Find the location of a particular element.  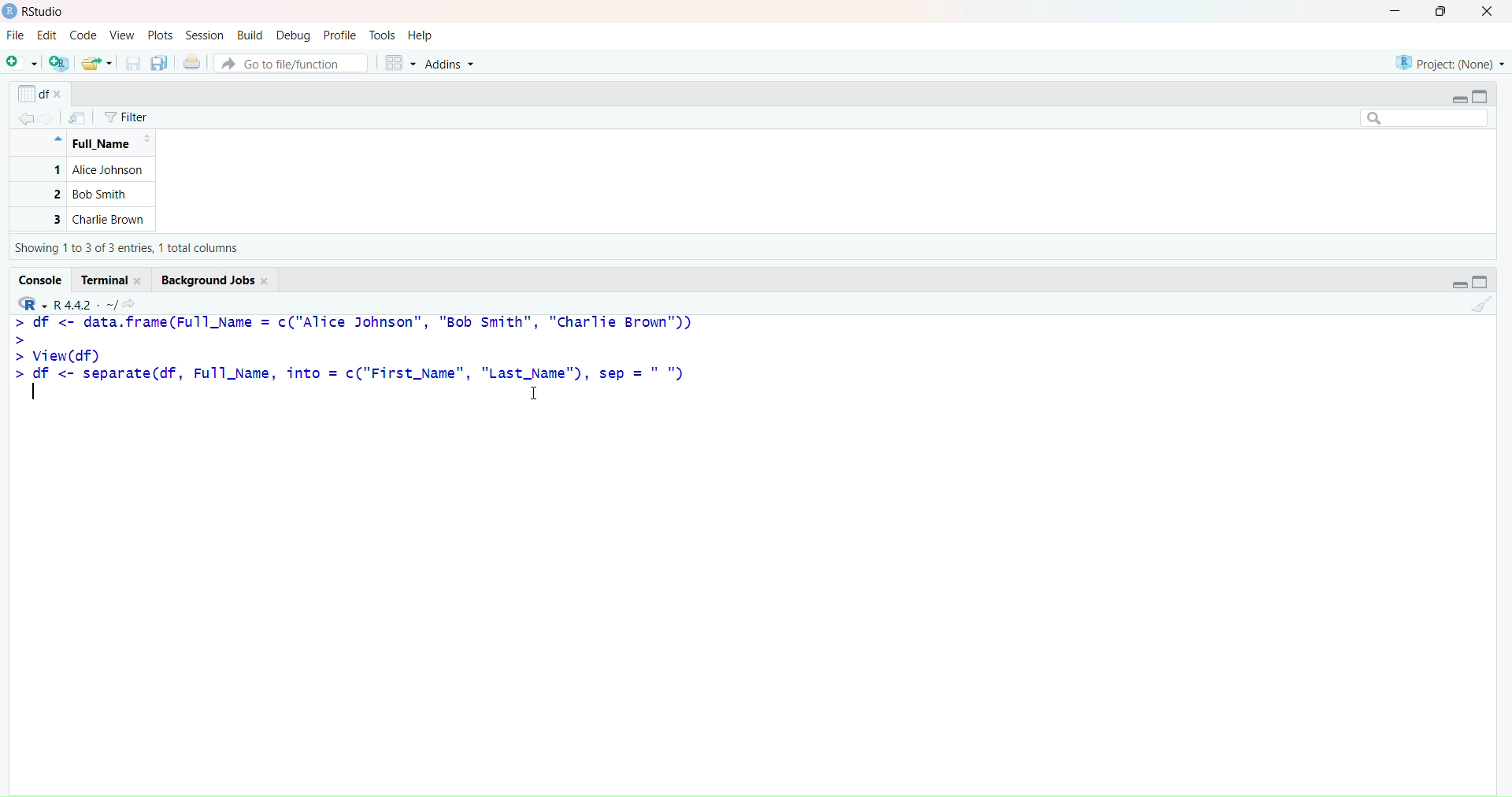

Workspace panes is located at coordinates (400, 63).